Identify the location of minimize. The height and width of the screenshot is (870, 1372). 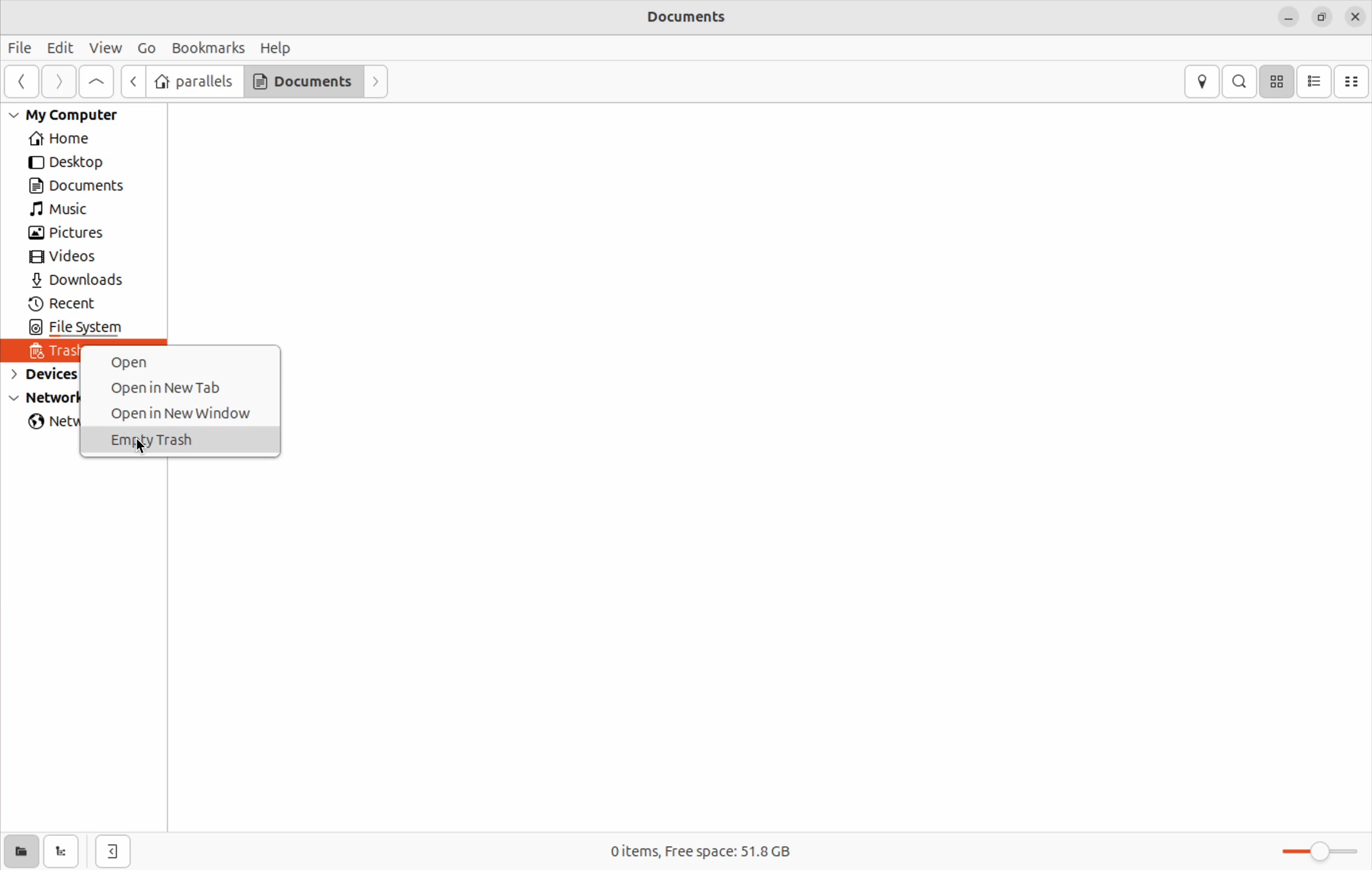
(1288, 18).